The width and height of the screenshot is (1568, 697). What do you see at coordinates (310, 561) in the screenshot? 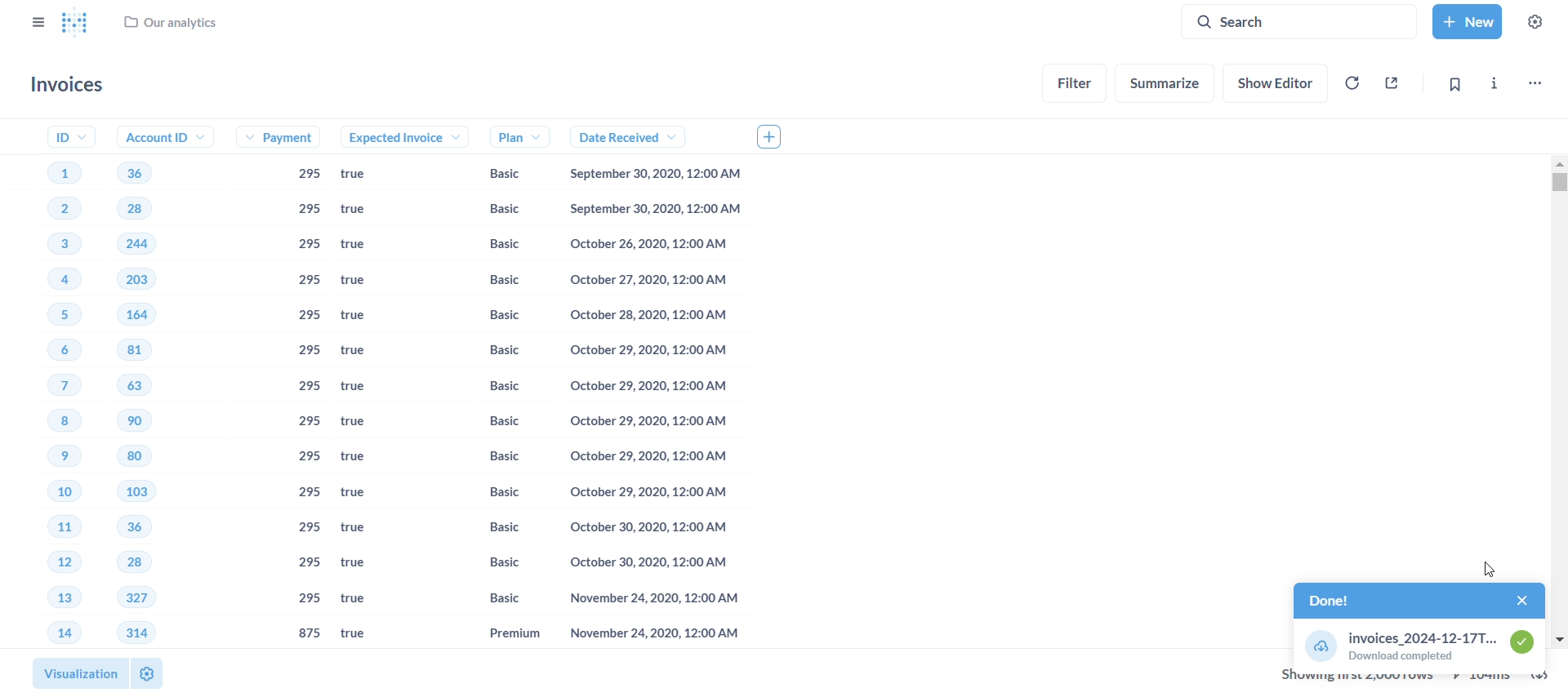
I see `295` at bounding box center [310, 561].